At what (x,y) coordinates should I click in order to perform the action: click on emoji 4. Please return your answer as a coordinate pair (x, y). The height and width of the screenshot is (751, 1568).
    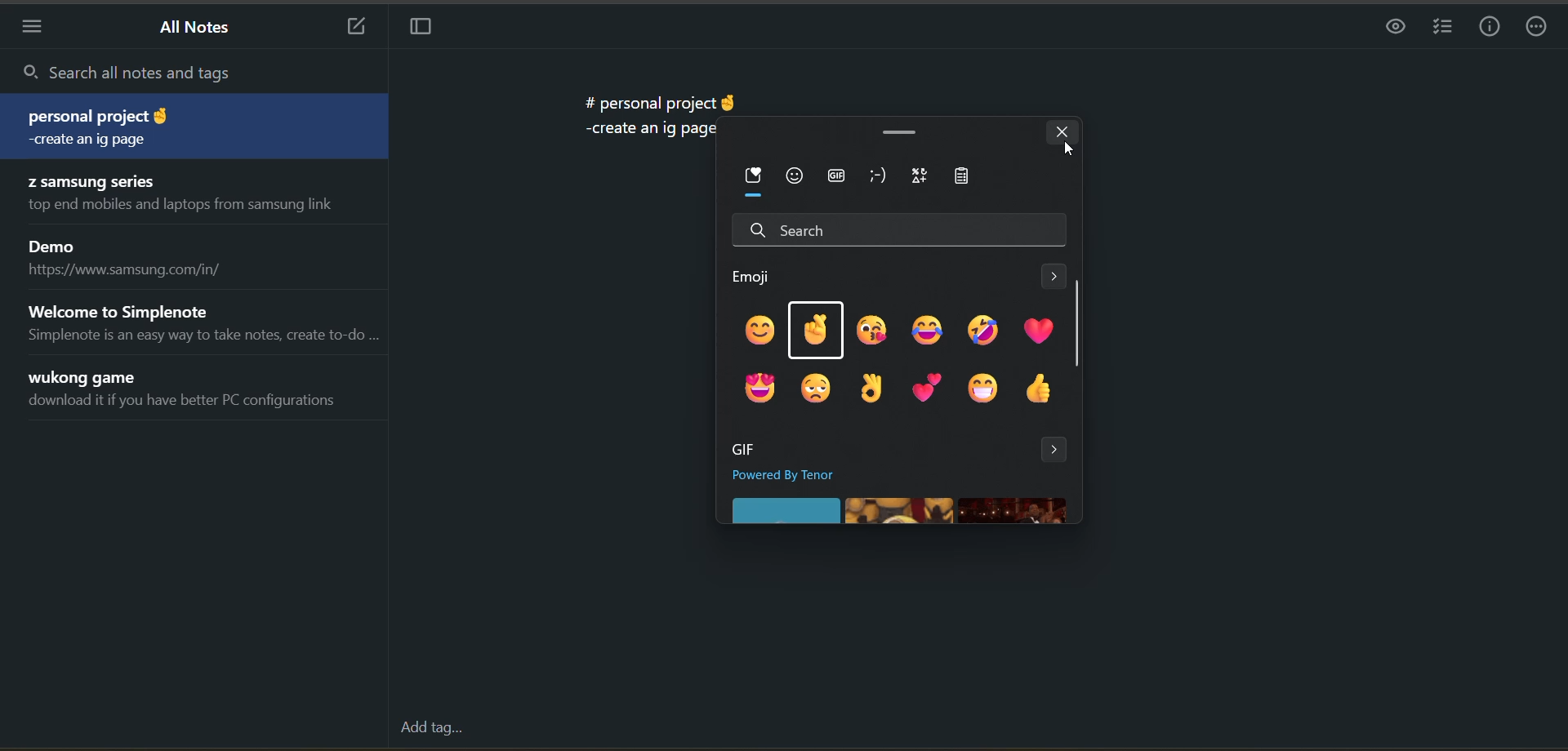
    Looking at the image, I should click on (931, 332).